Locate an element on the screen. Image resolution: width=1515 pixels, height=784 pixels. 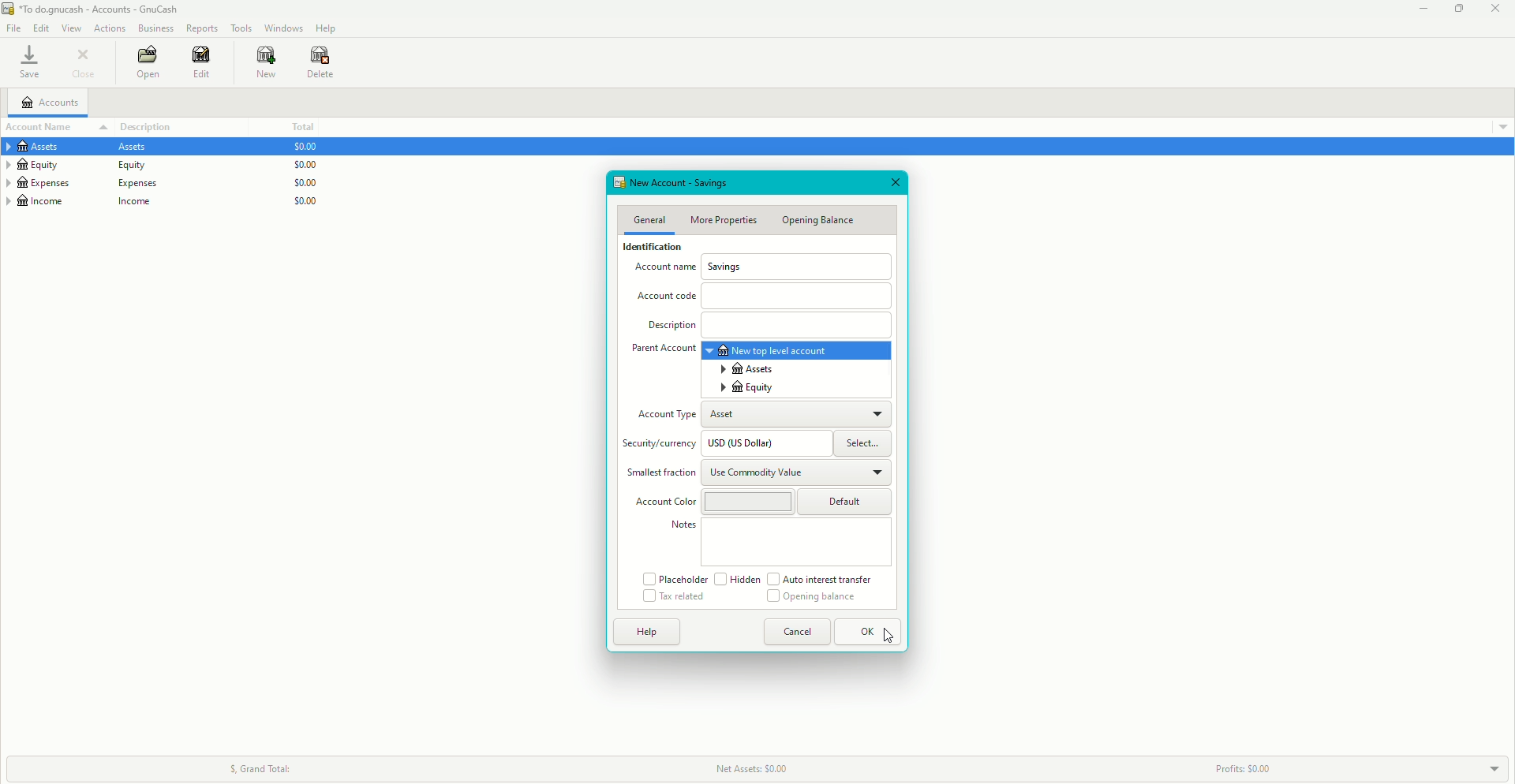
Help is located at coordinates (647, 631).